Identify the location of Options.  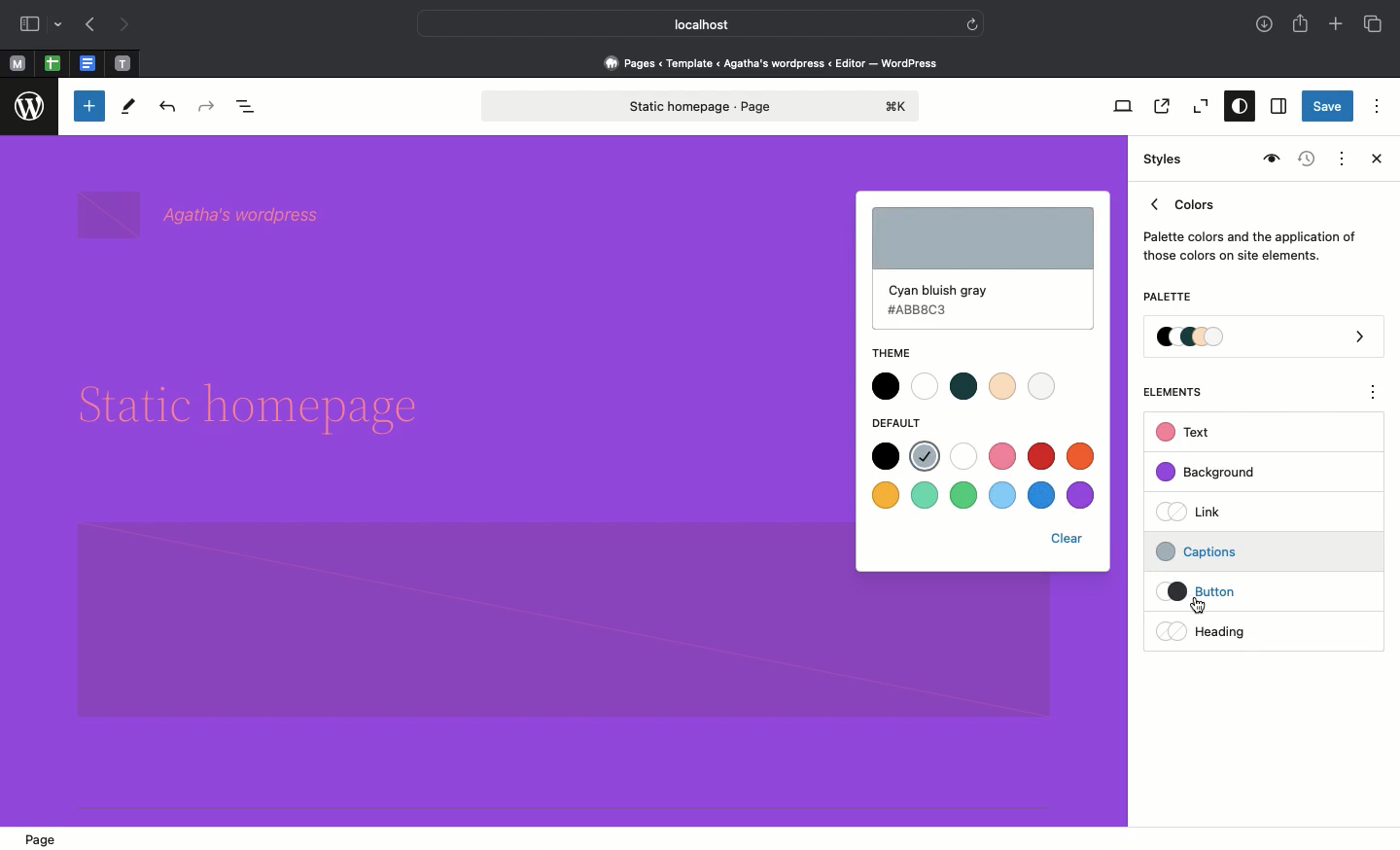
(1377, 105).